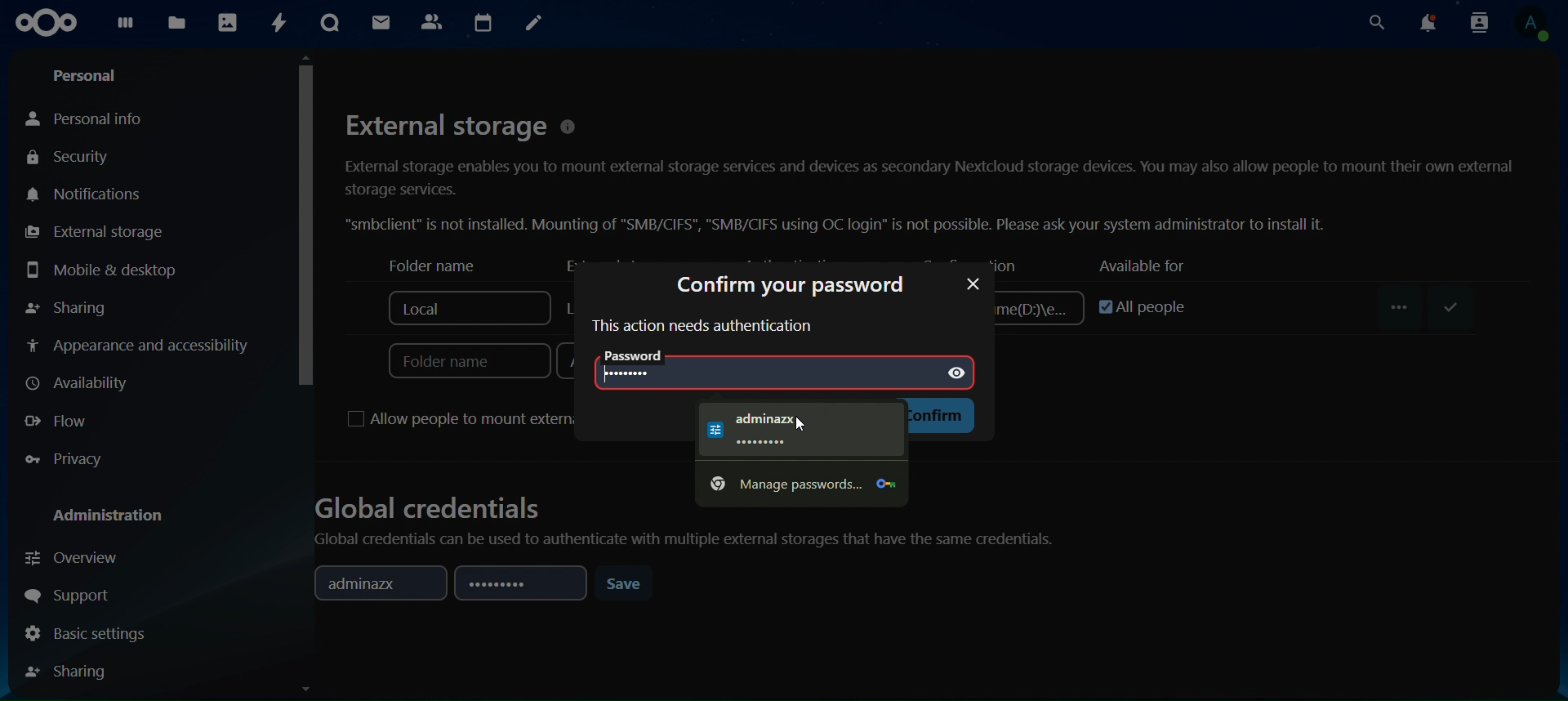 This screenshot has height=701, width=1568. I want to click on ........, so click(637, 371).